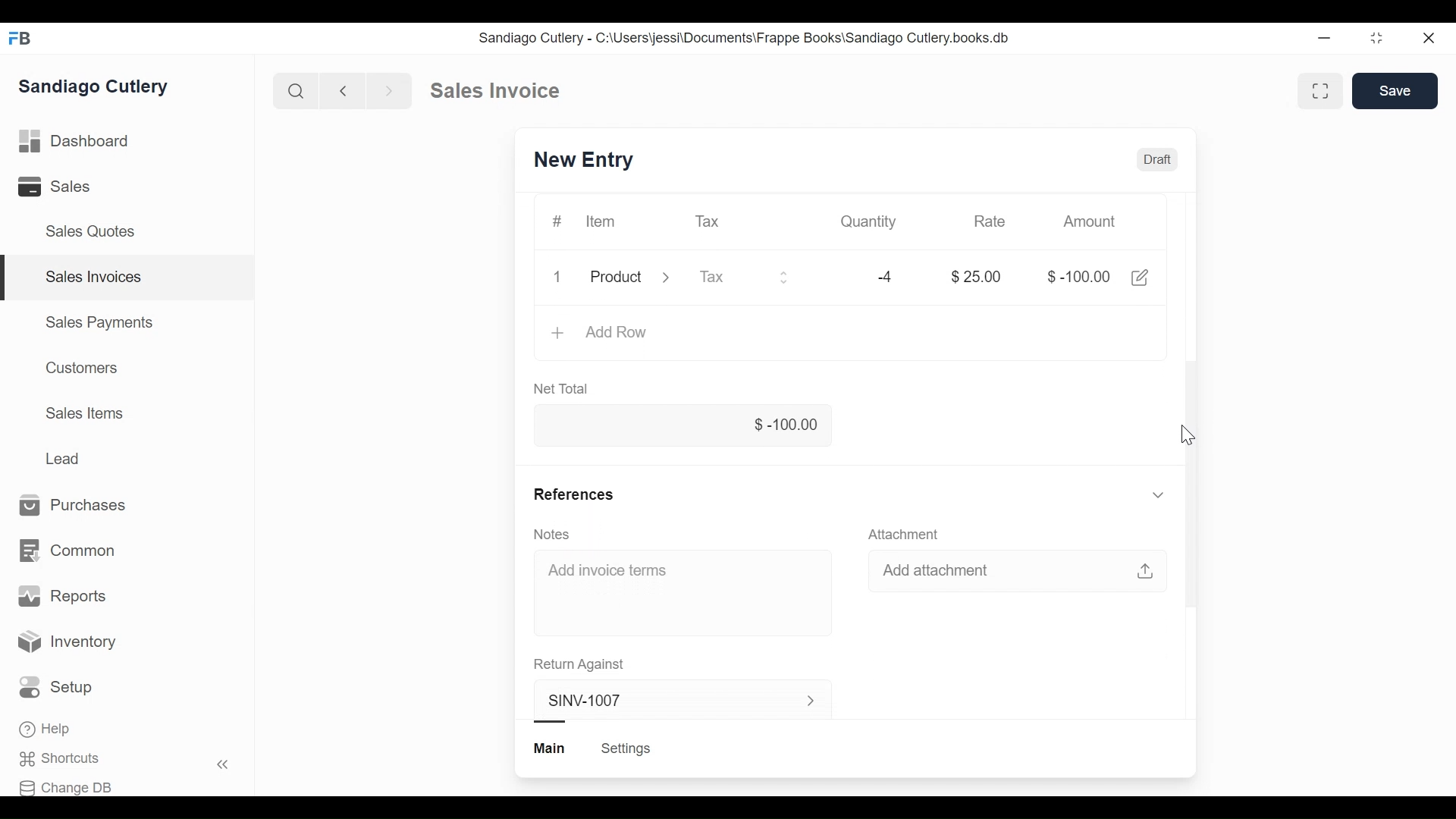 The image size is (1456, 819). What do you see at coordinates (745, 39) in the screenshot?
I see `Sandiago Cutlery - C:\Users\jessi\Documents\Frappe Books\Sandiago Cutlery.books.db` at bounding box center [745, 39].